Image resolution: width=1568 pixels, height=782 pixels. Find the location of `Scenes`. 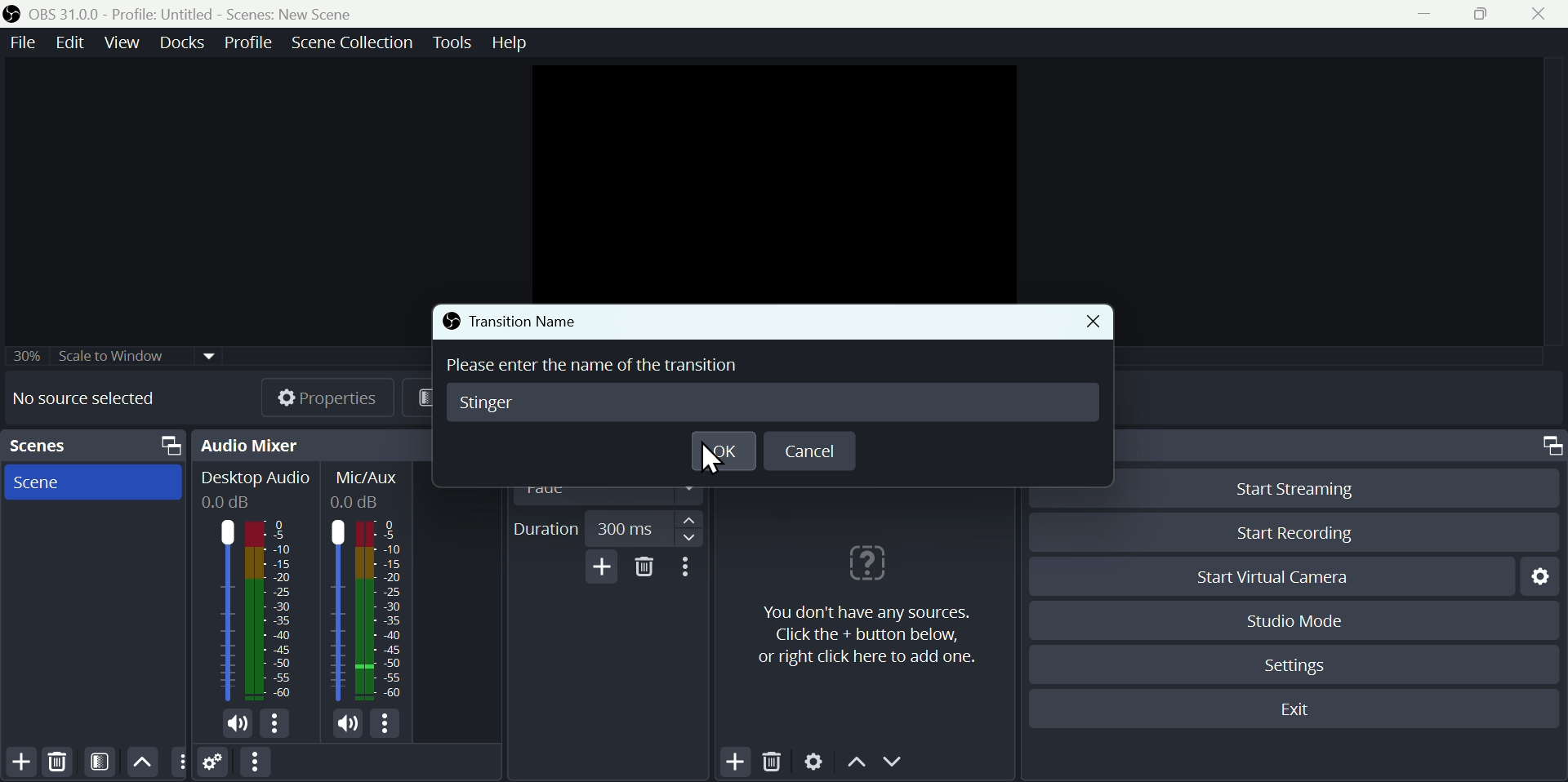

Scenes is located at coordinates (97, 446).